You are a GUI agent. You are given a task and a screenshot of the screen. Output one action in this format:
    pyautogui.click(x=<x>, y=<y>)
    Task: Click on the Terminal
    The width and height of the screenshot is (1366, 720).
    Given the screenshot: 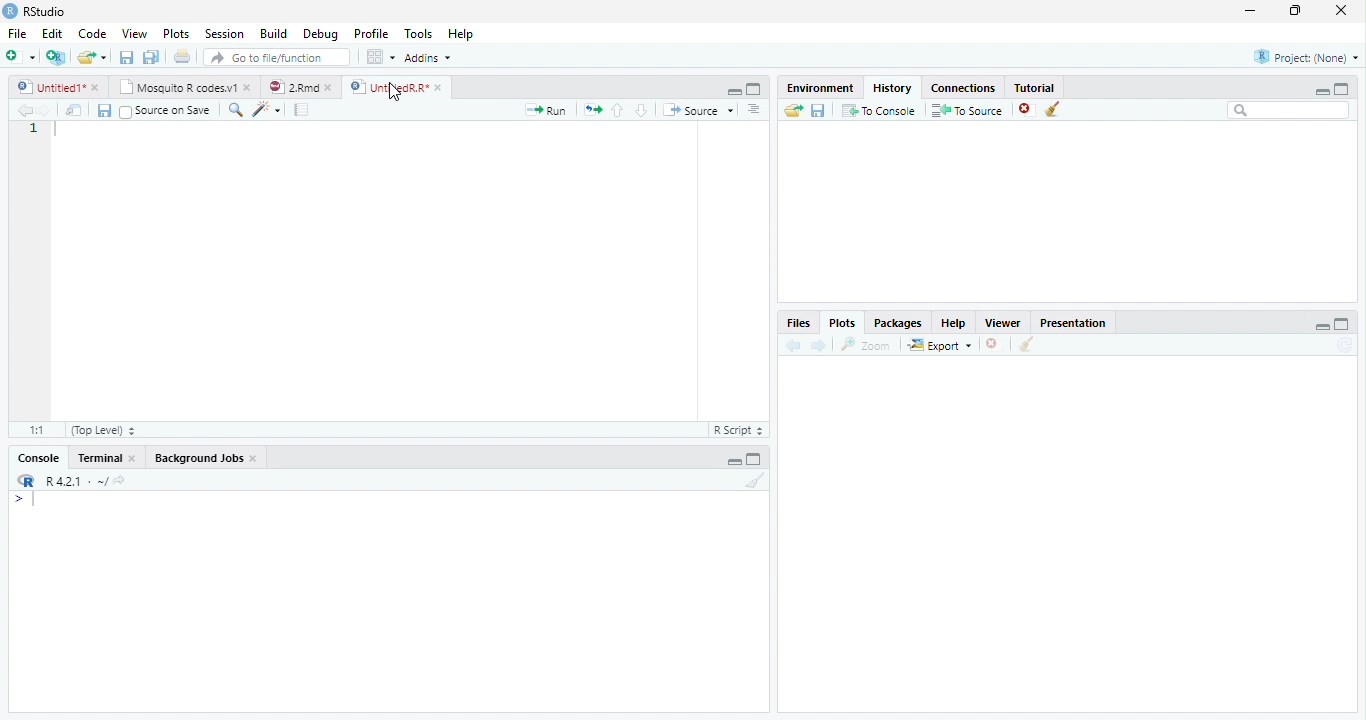 What is the action you would take?
    pyautogui.click(x=99, y=458)
    